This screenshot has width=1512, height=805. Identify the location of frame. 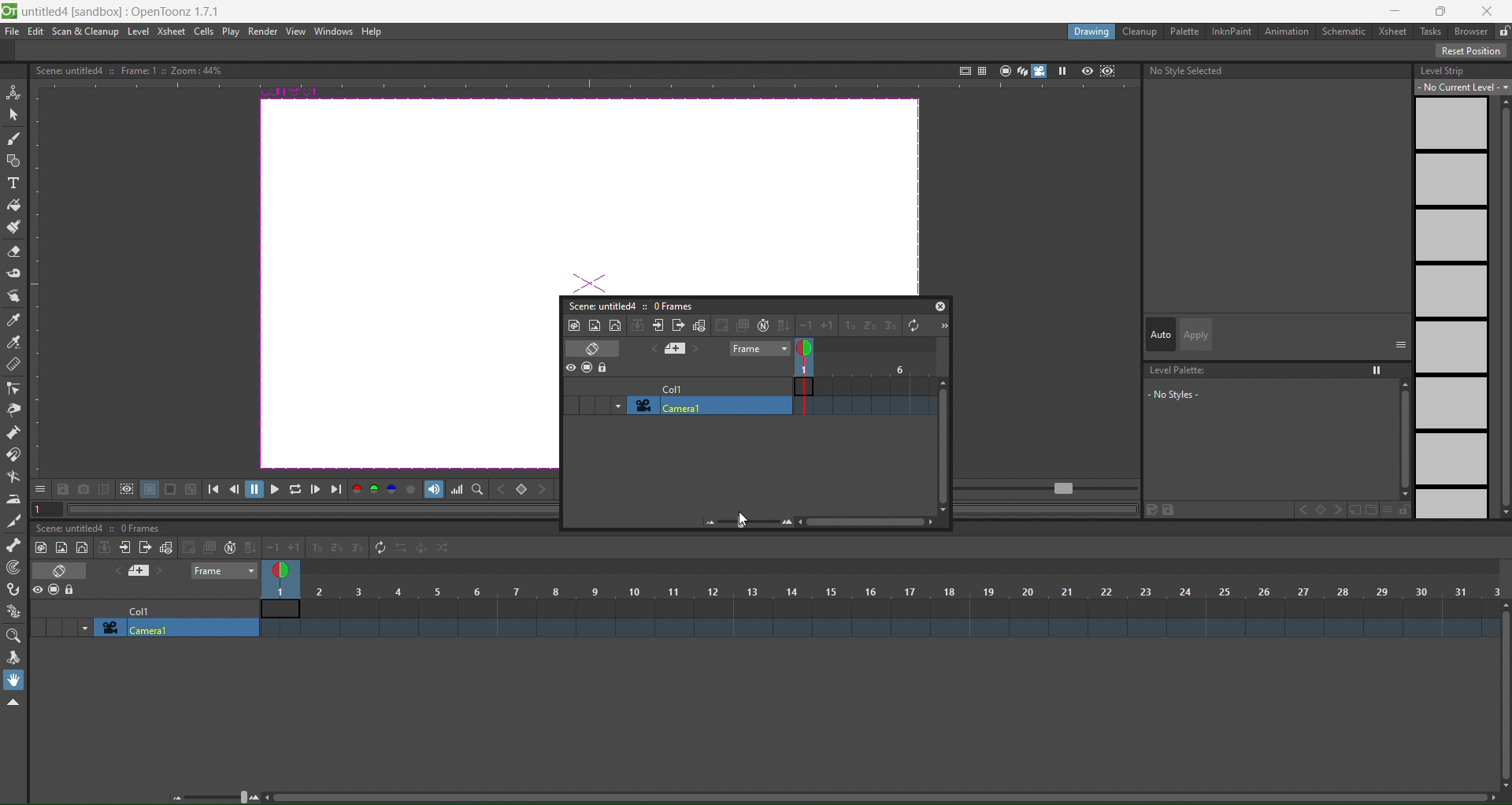
(225, 570).